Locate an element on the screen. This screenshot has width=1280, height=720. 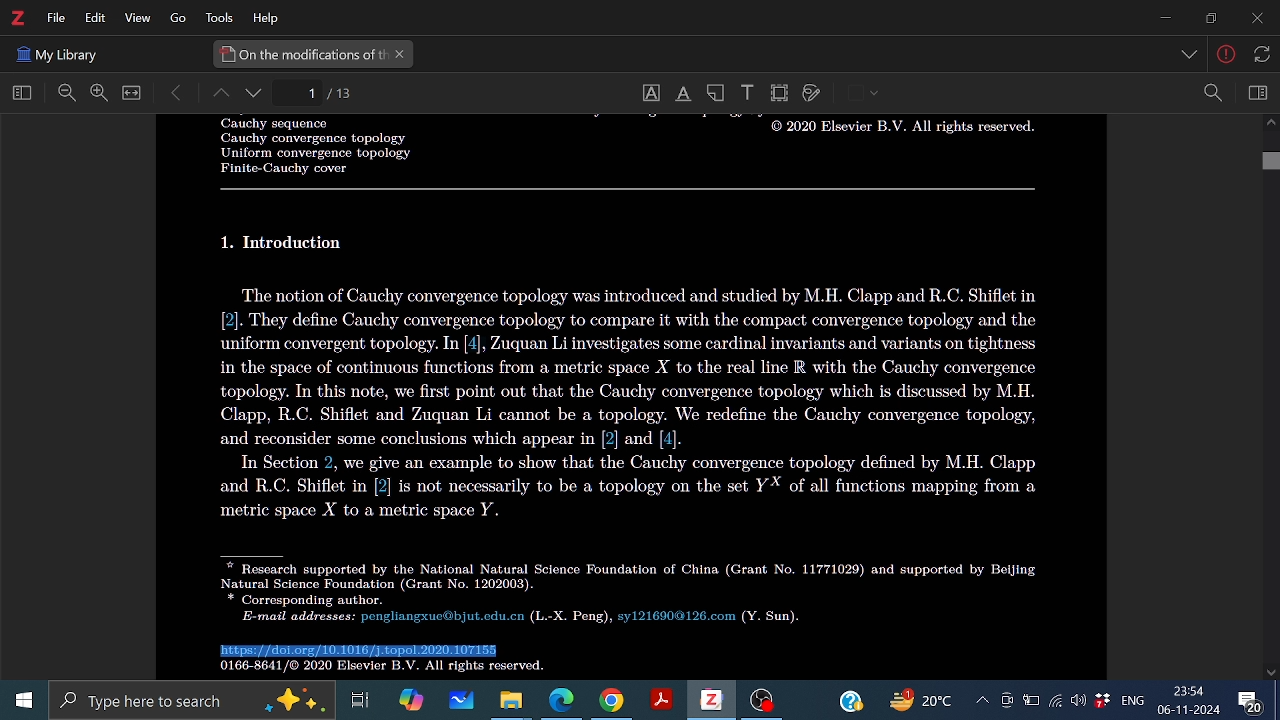
 is located at coordinates (629, 189).